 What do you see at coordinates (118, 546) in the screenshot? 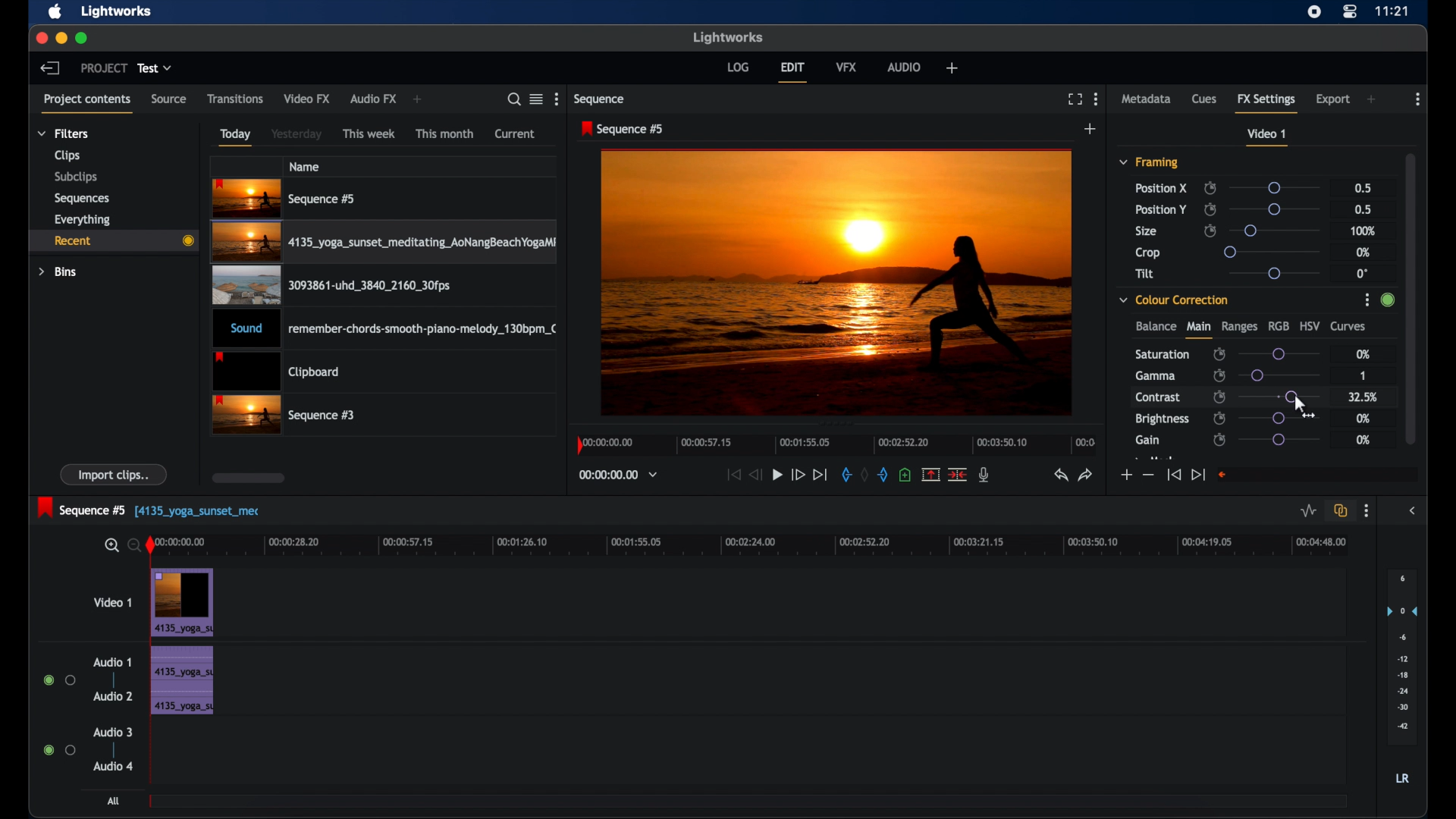
I see `zoom` at bounding box center [118, 546].